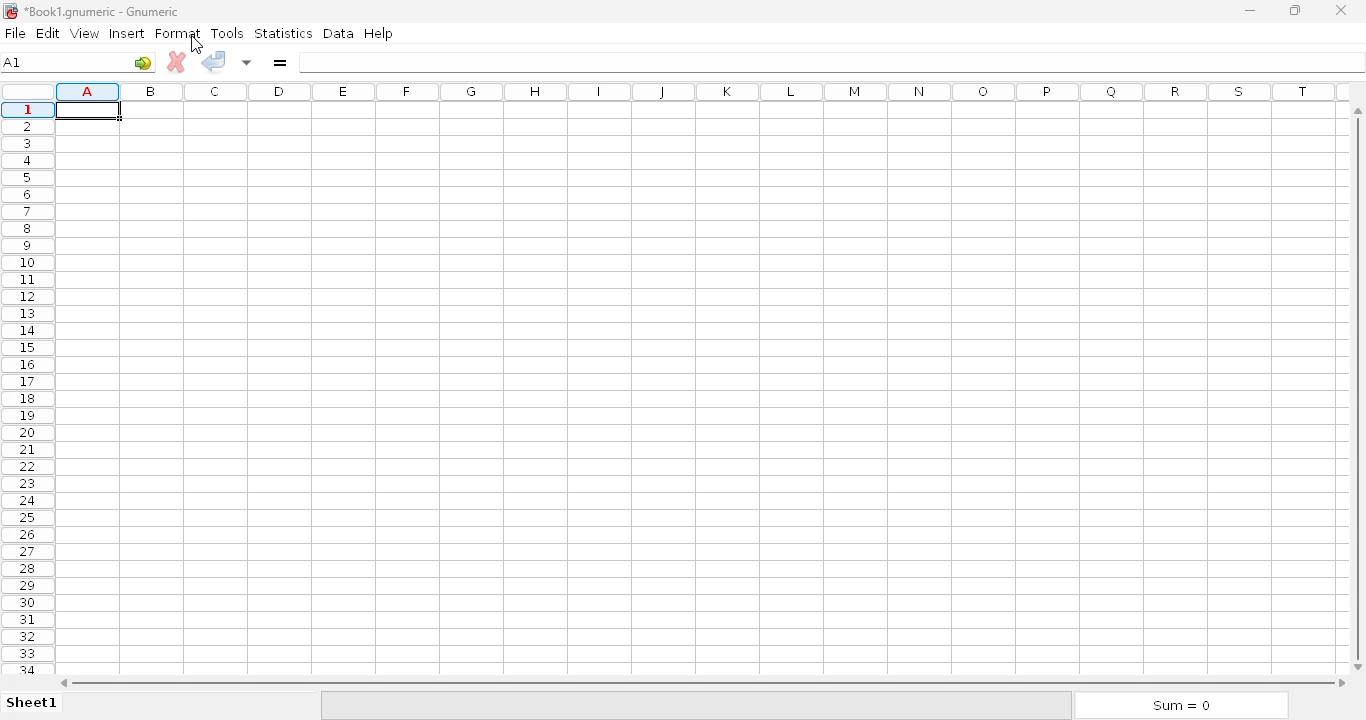 This screenshot has height=720, width=1366. I want to click on horizontal scroll bar, so click(703, 682).